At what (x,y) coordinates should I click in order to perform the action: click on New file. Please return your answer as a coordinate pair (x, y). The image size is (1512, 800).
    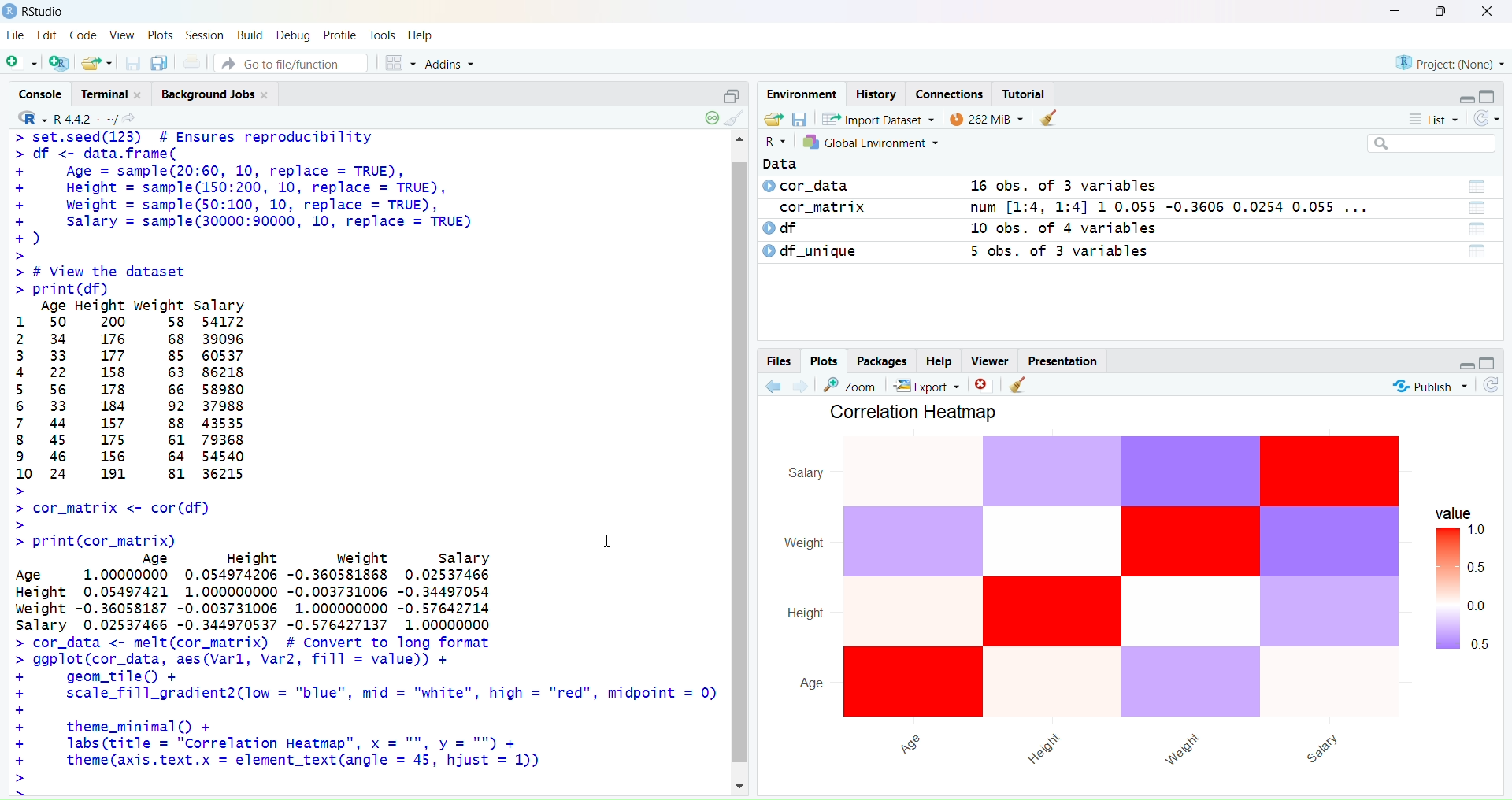
    Looking at the image, I should click on (22, 61).